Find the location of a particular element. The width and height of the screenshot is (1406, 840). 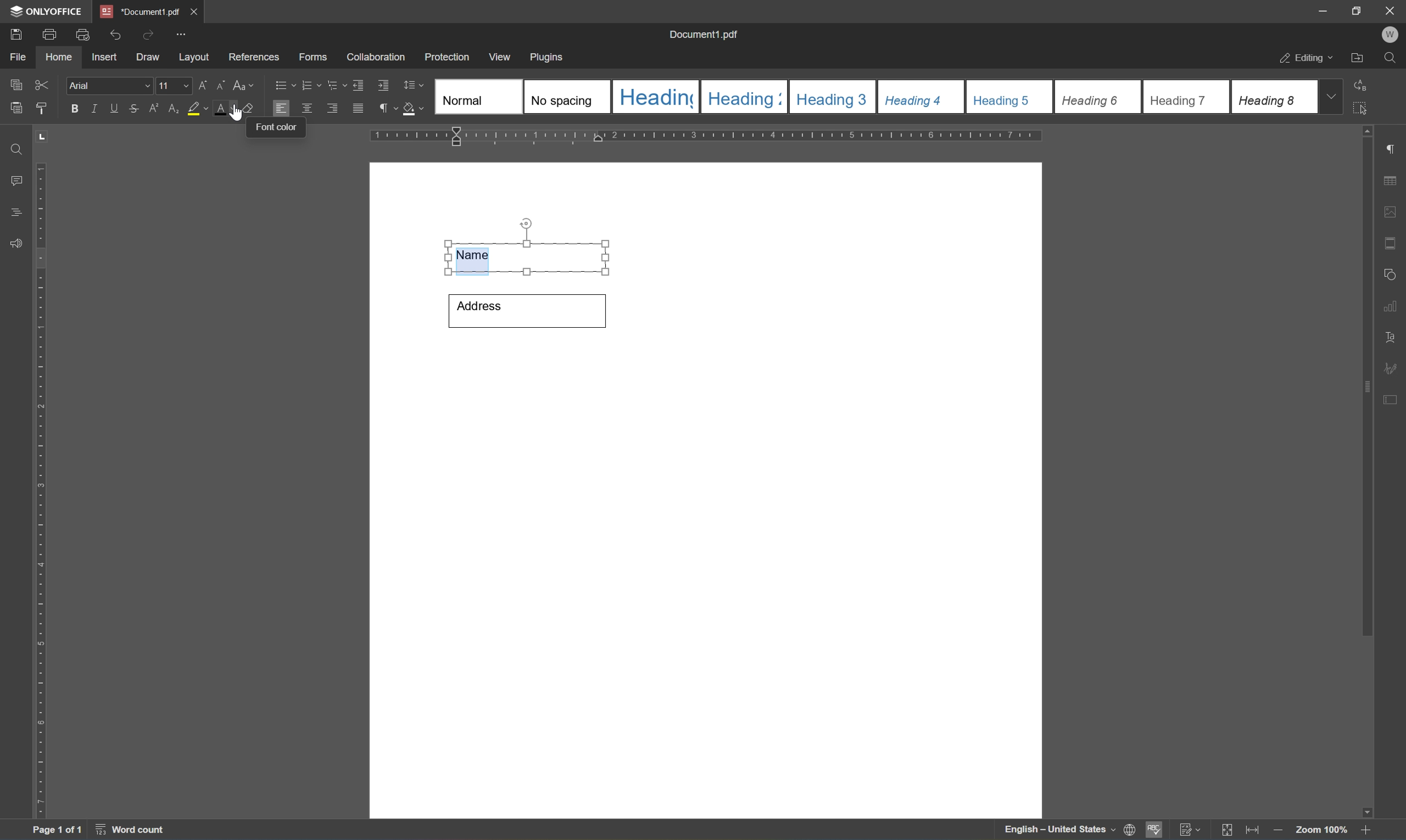

shading is located at coordinates (414, 110).